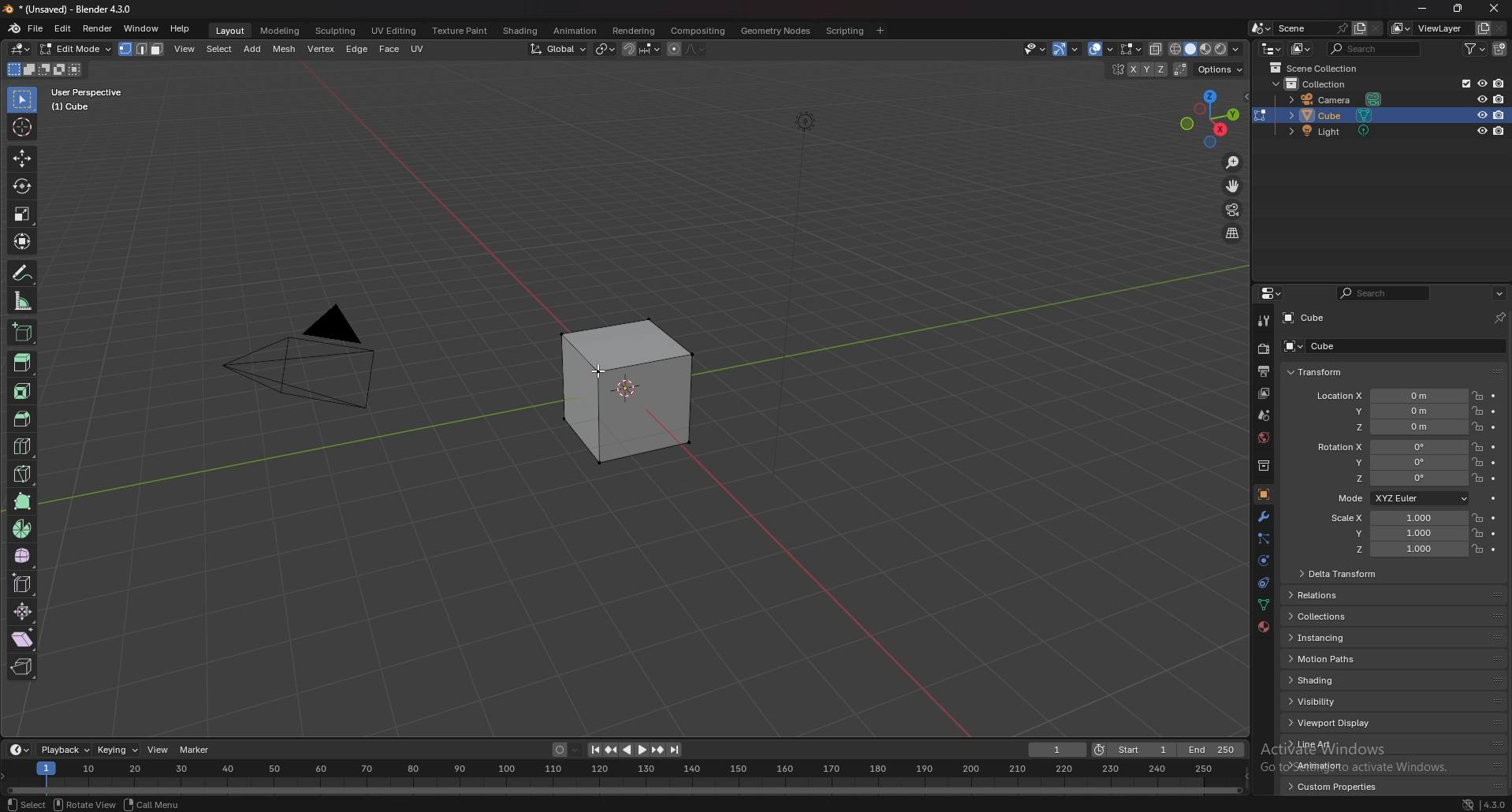  Describe the element at coordinates (657, 749) in the screenshot. I see `jump to keyframe` at that location.